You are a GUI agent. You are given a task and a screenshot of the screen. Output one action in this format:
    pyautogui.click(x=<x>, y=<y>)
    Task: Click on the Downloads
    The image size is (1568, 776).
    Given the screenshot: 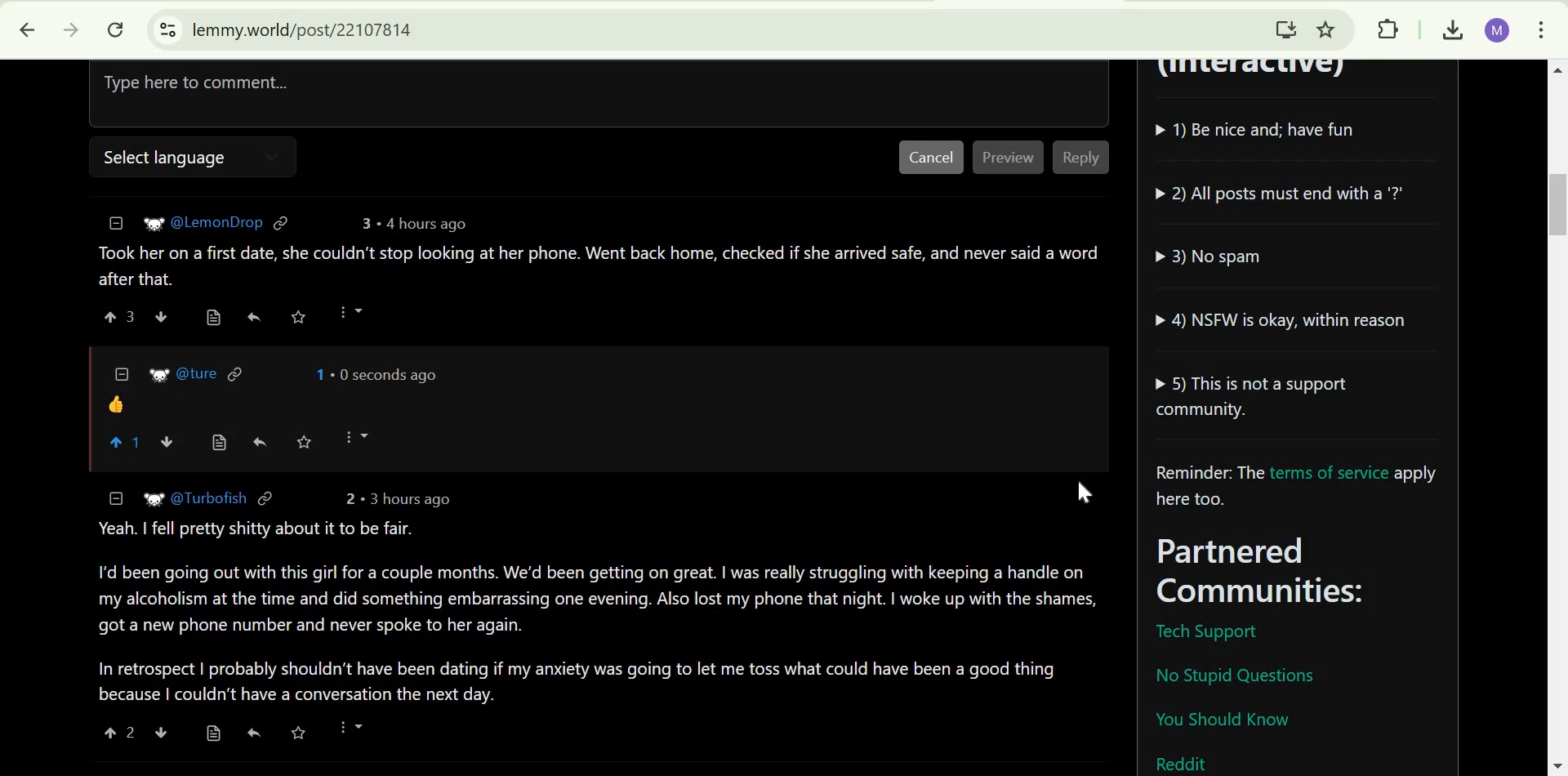 What is the action you would take?
    pyautogui.click(x=1452, y=31)
    